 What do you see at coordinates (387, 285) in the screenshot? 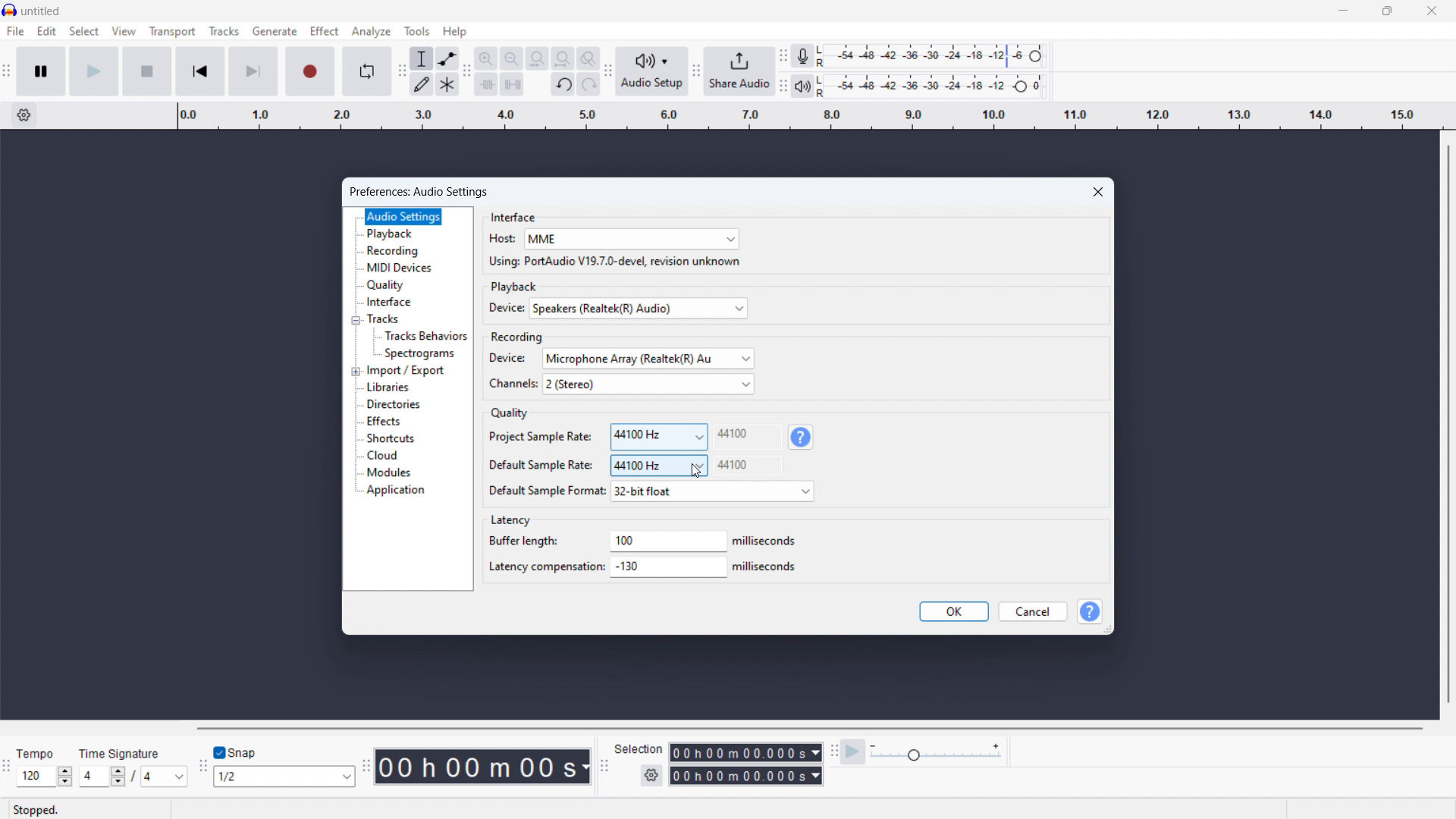
I see `quality` at bounding box center [387, 285].